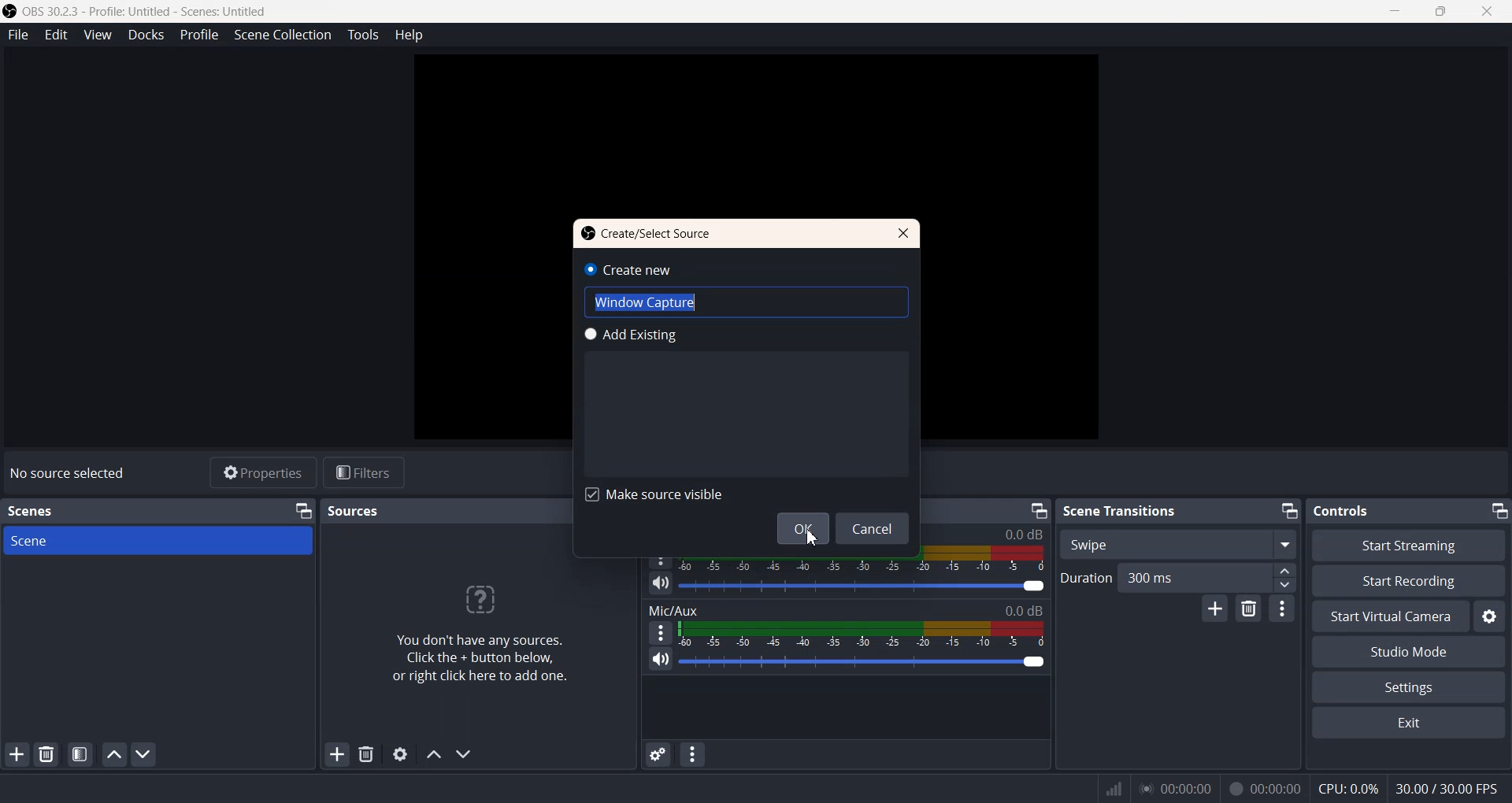  What do you see at coordinates (802, 528) in the screenshot?
I see `OK` at bounding box center [802, 528].